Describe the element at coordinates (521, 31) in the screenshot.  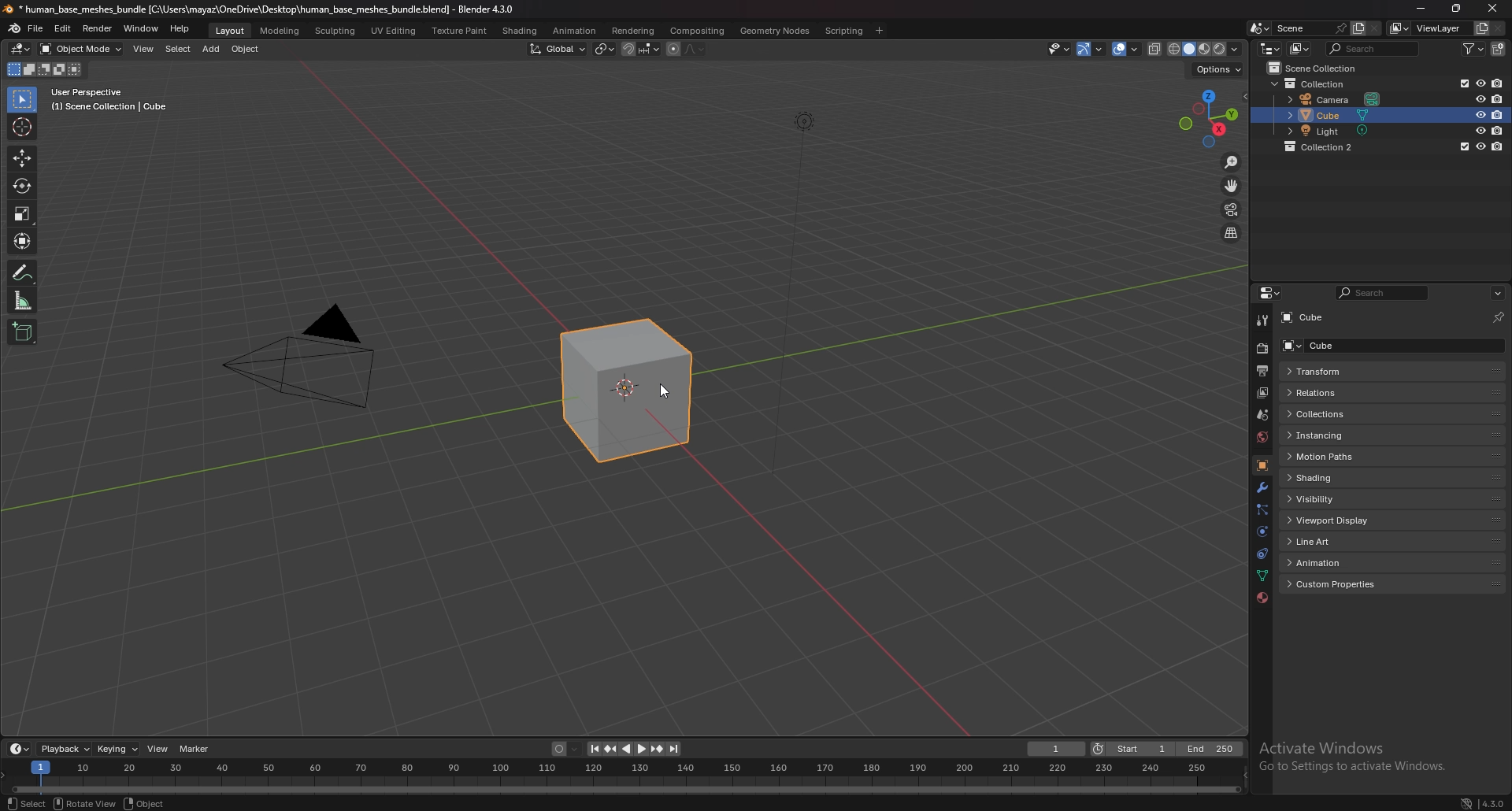
I see `shading` at that location.